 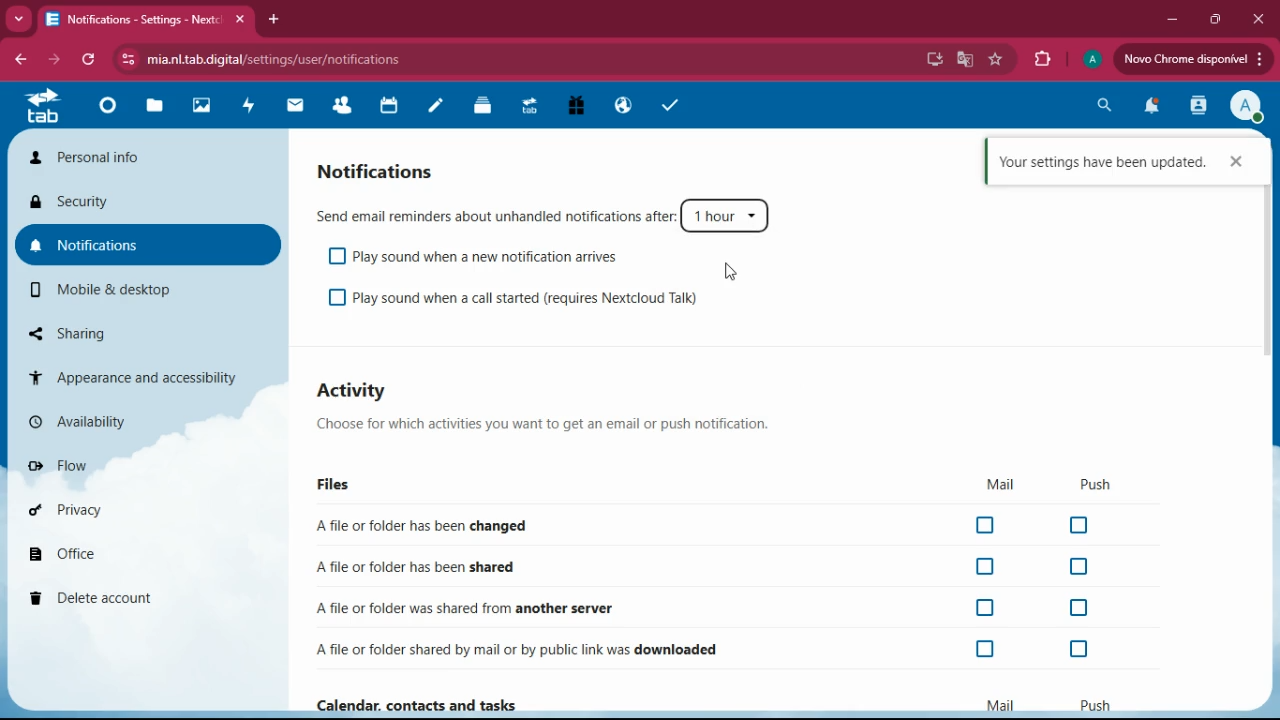 I want to click on activity, so click(x=245, y=107).